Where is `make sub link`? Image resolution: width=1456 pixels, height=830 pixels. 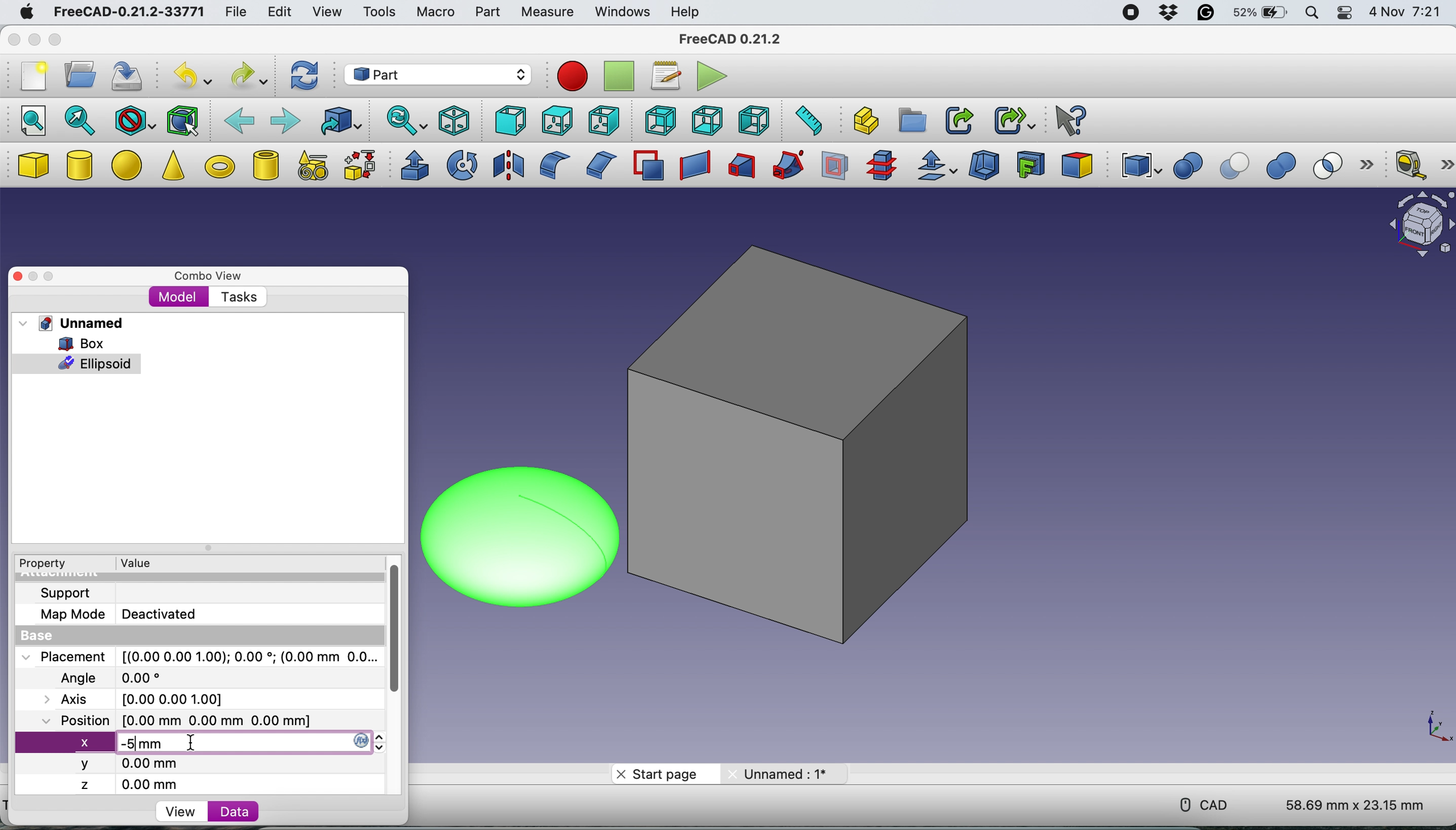
make sub link is located at coordinates (1015, 119).